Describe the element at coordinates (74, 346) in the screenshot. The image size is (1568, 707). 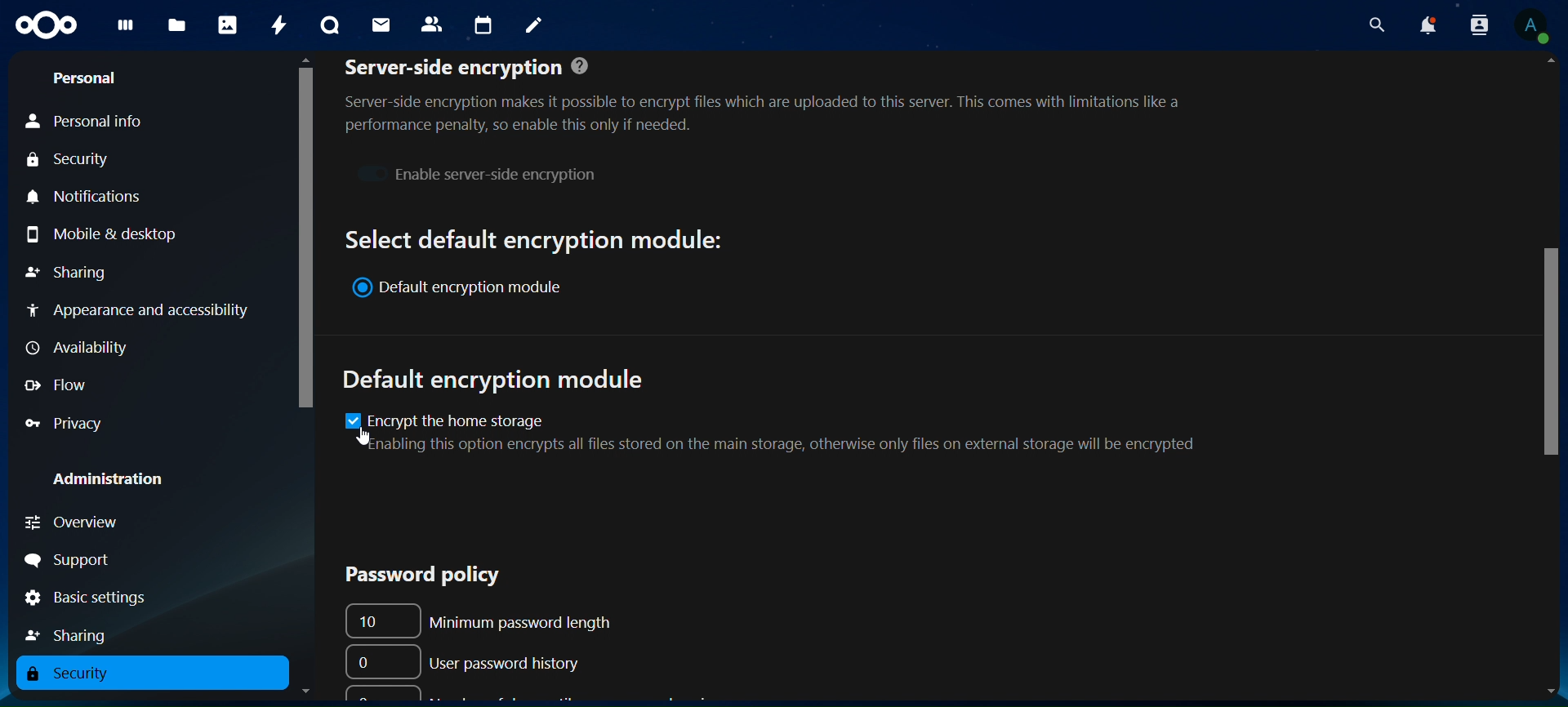
I see `availability` at that location.